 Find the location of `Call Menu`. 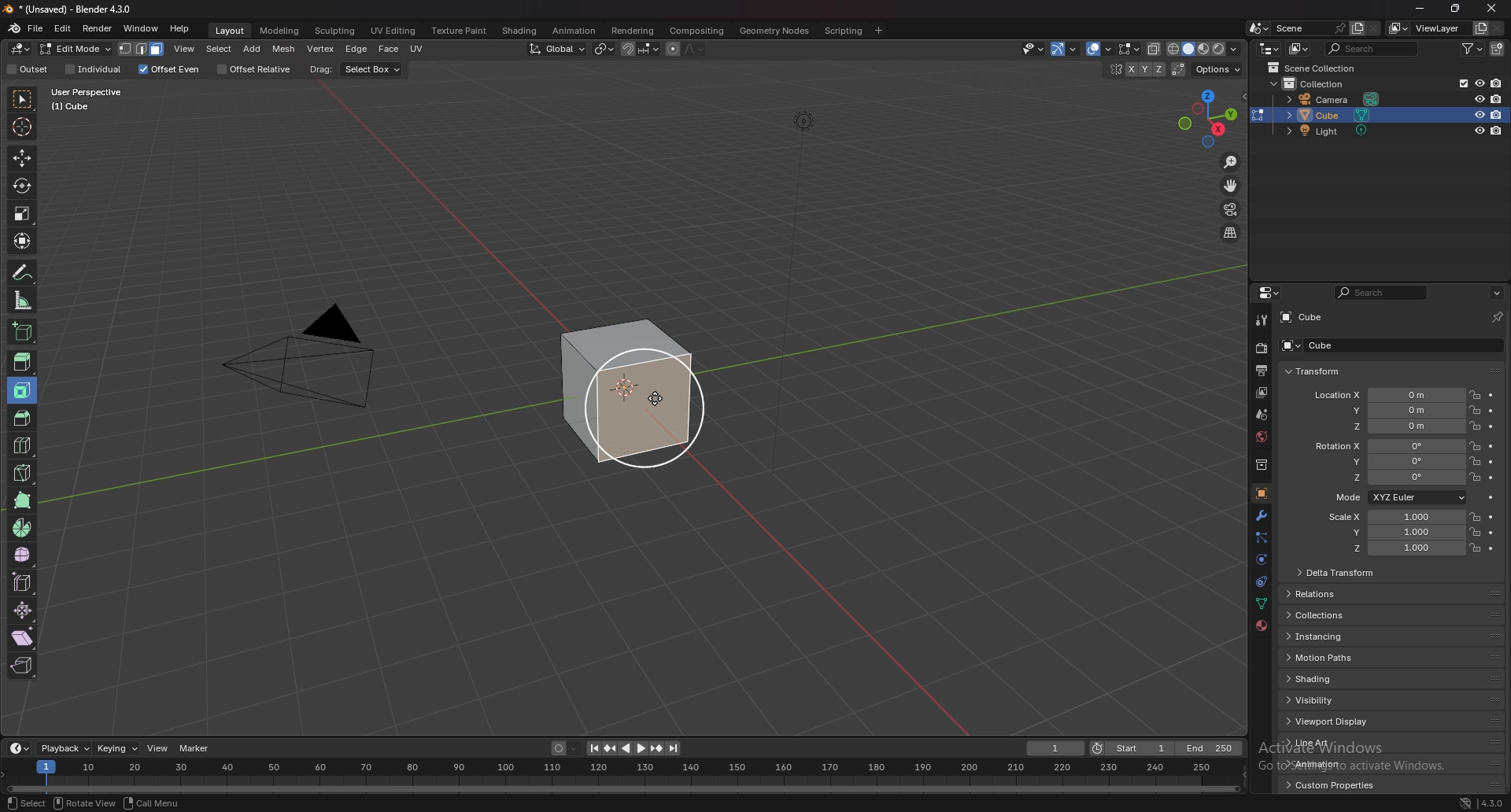

Call Menu is located at coordinates (152, 803).